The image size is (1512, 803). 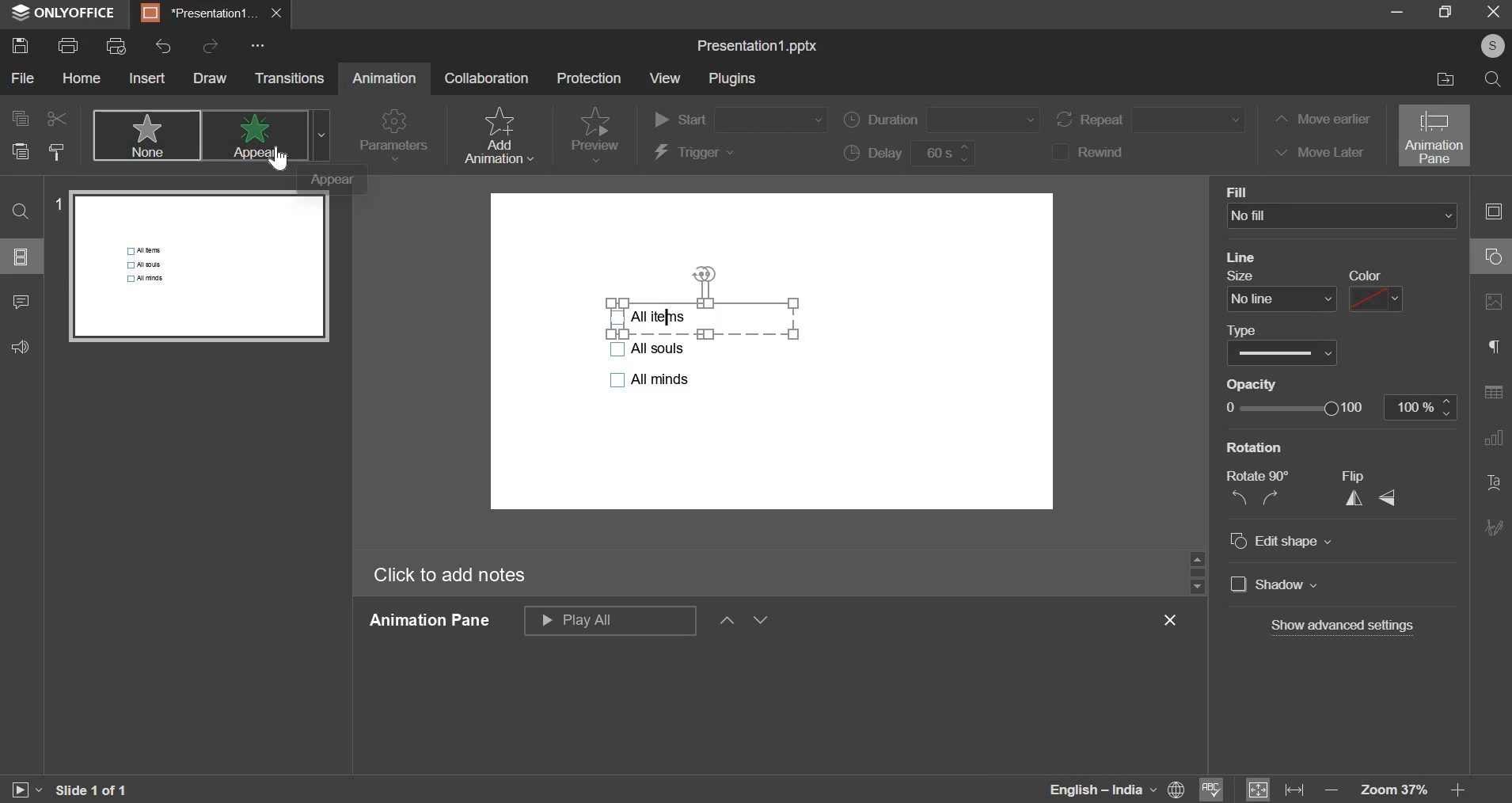 What do you see at coordinates (731, 79) in the screenshot?
I see `plugins` at bounding box center [731, 79].